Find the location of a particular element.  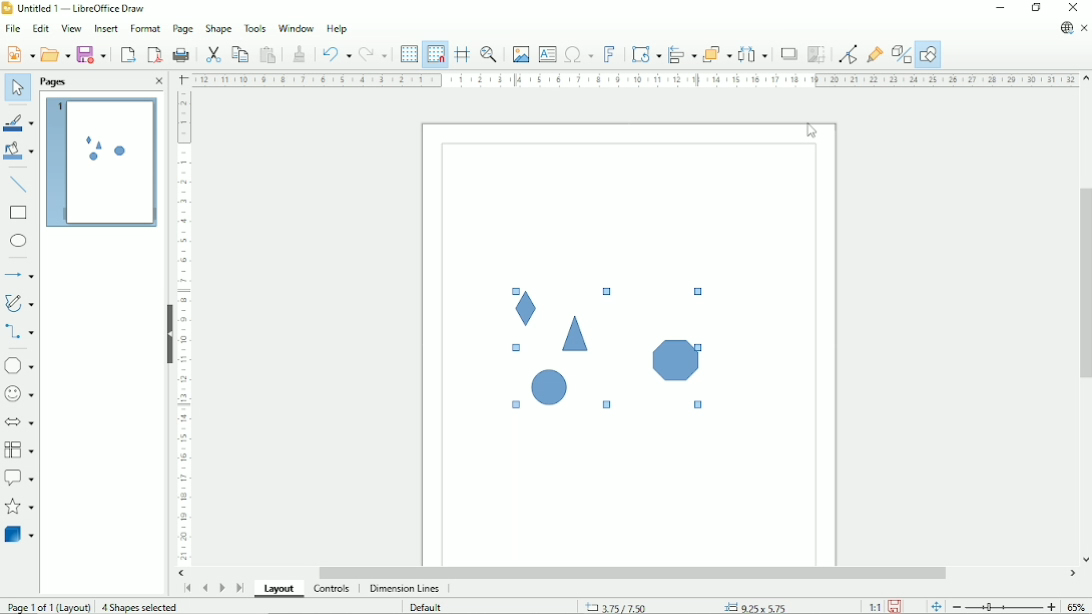

Distribute is located at coordinates (752, 53).